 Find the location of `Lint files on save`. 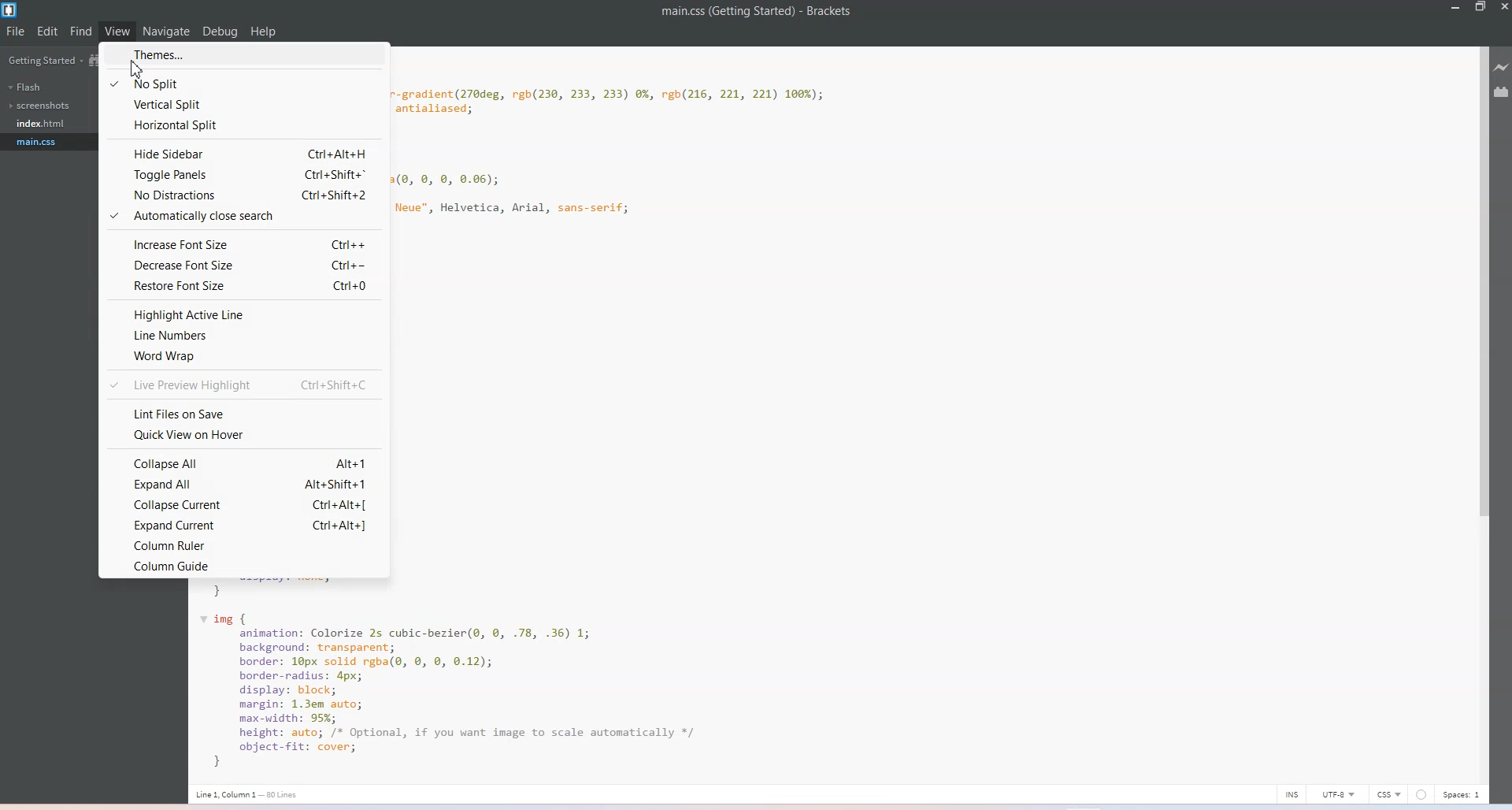

Lint files on save is located at coordinates (244, 414).